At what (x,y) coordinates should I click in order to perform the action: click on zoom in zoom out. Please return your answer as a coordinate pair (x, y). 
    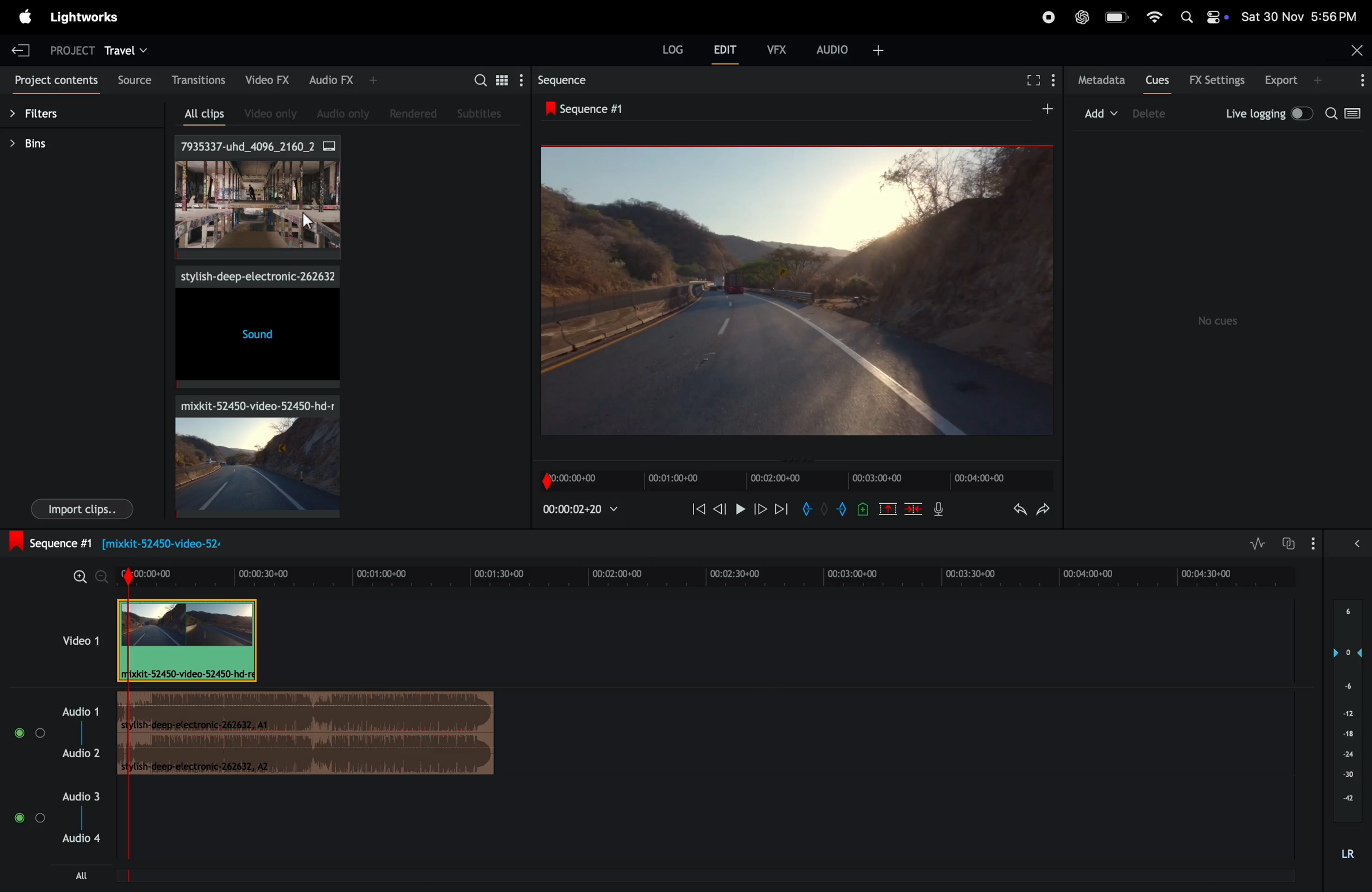
    Looking at the image, I should click on (82, 576).